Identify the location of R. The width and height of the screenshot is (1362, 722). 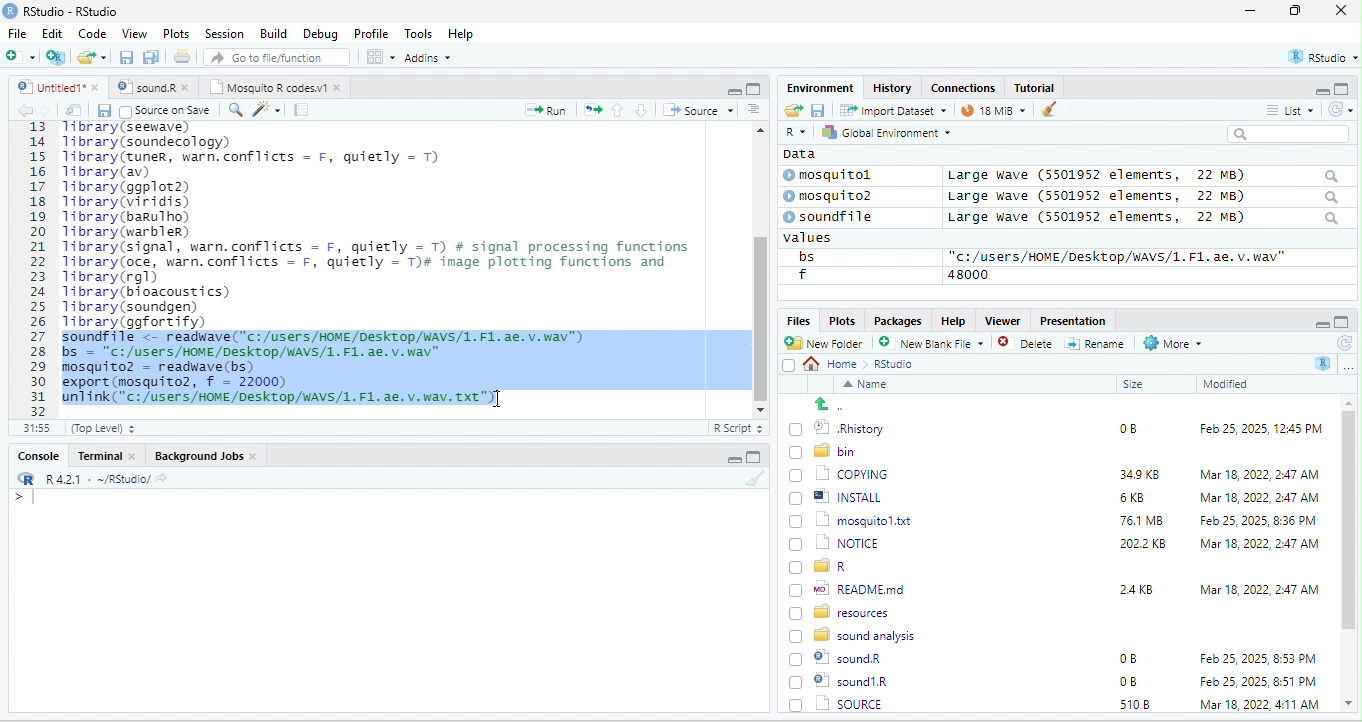
(794, 133).